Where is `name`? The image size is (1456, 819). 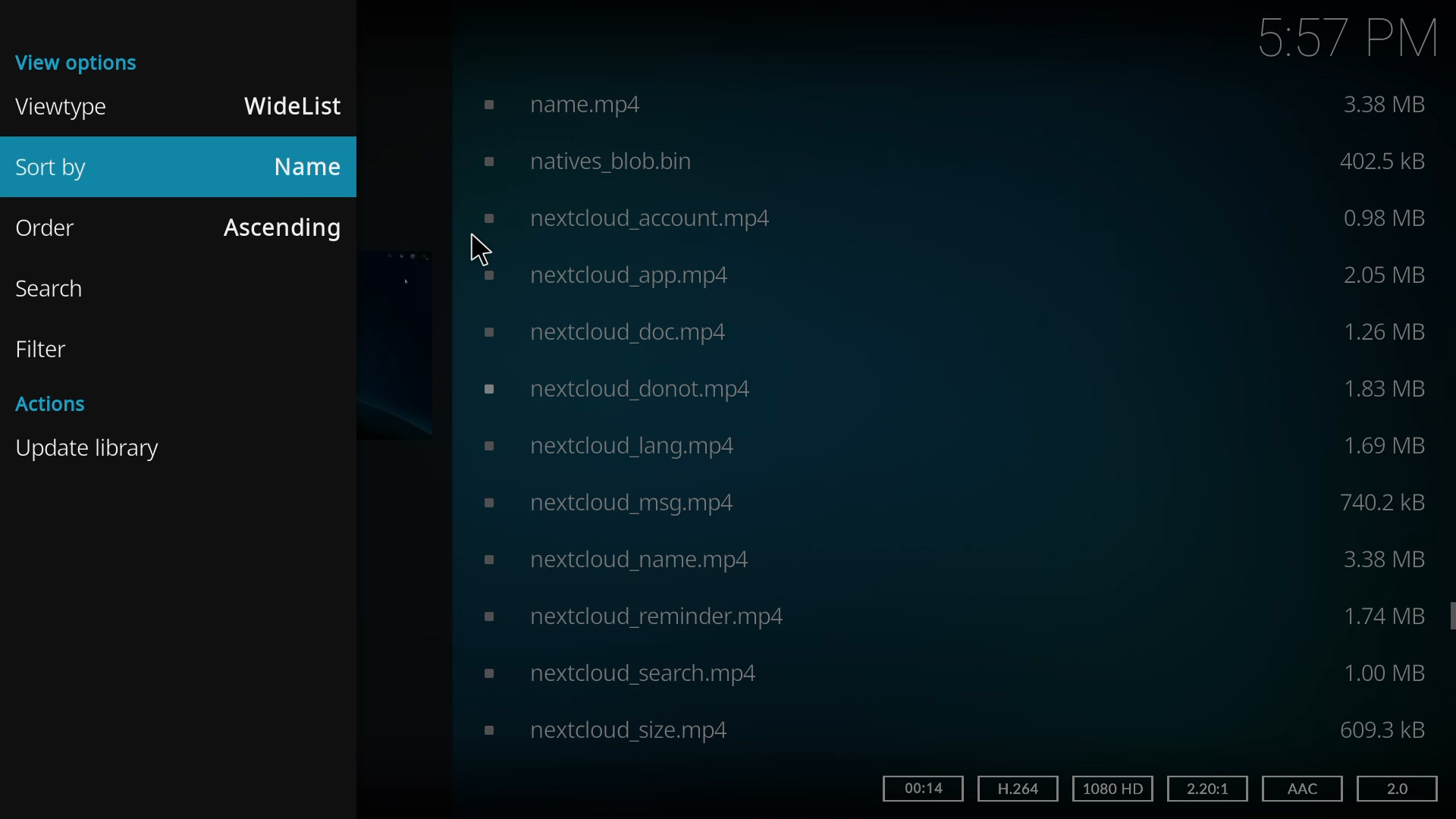
name is located at coordinates (308, 167).